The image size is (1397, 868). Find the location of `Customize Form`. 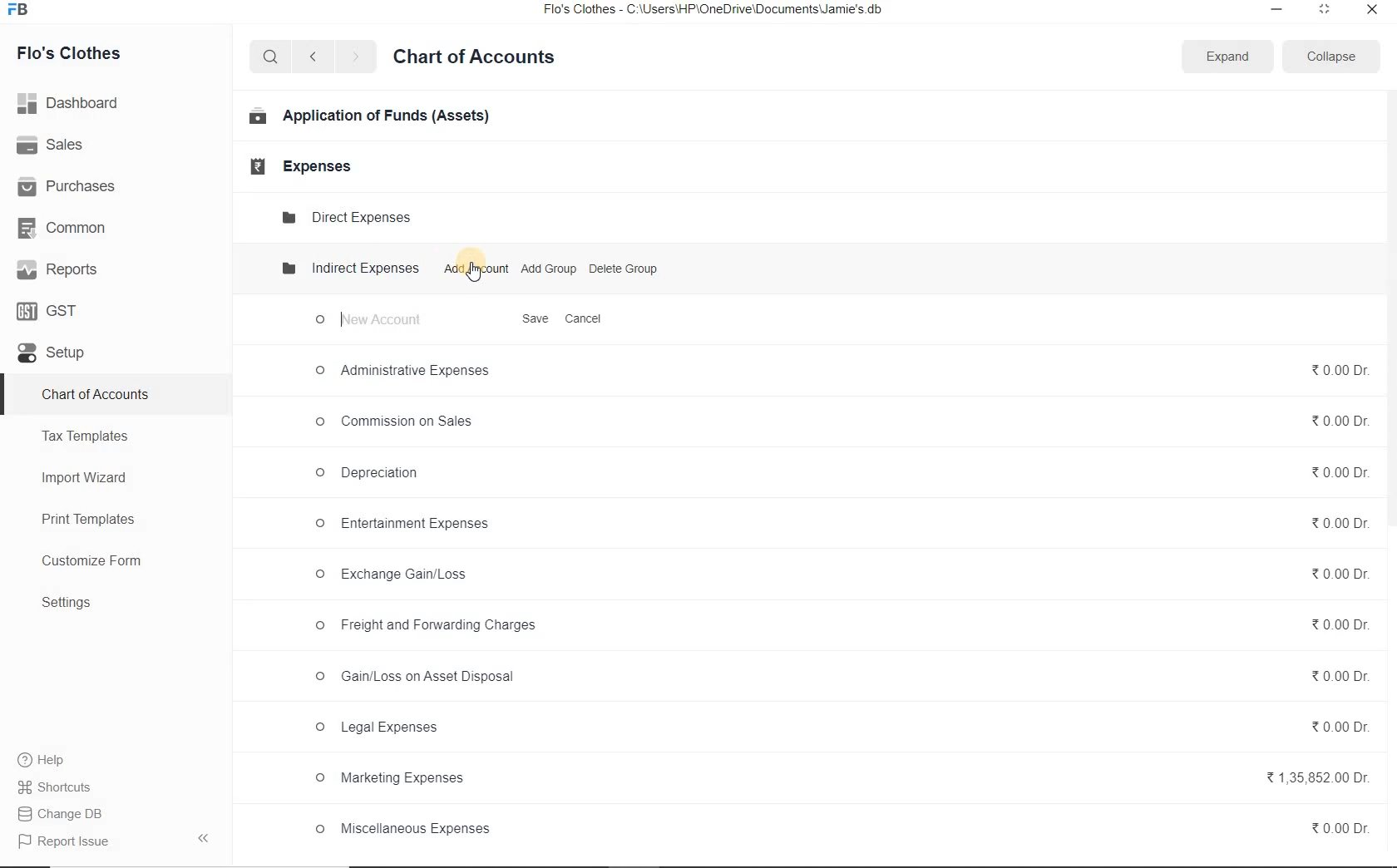

Customize Form is located at coordinates (92, 561).